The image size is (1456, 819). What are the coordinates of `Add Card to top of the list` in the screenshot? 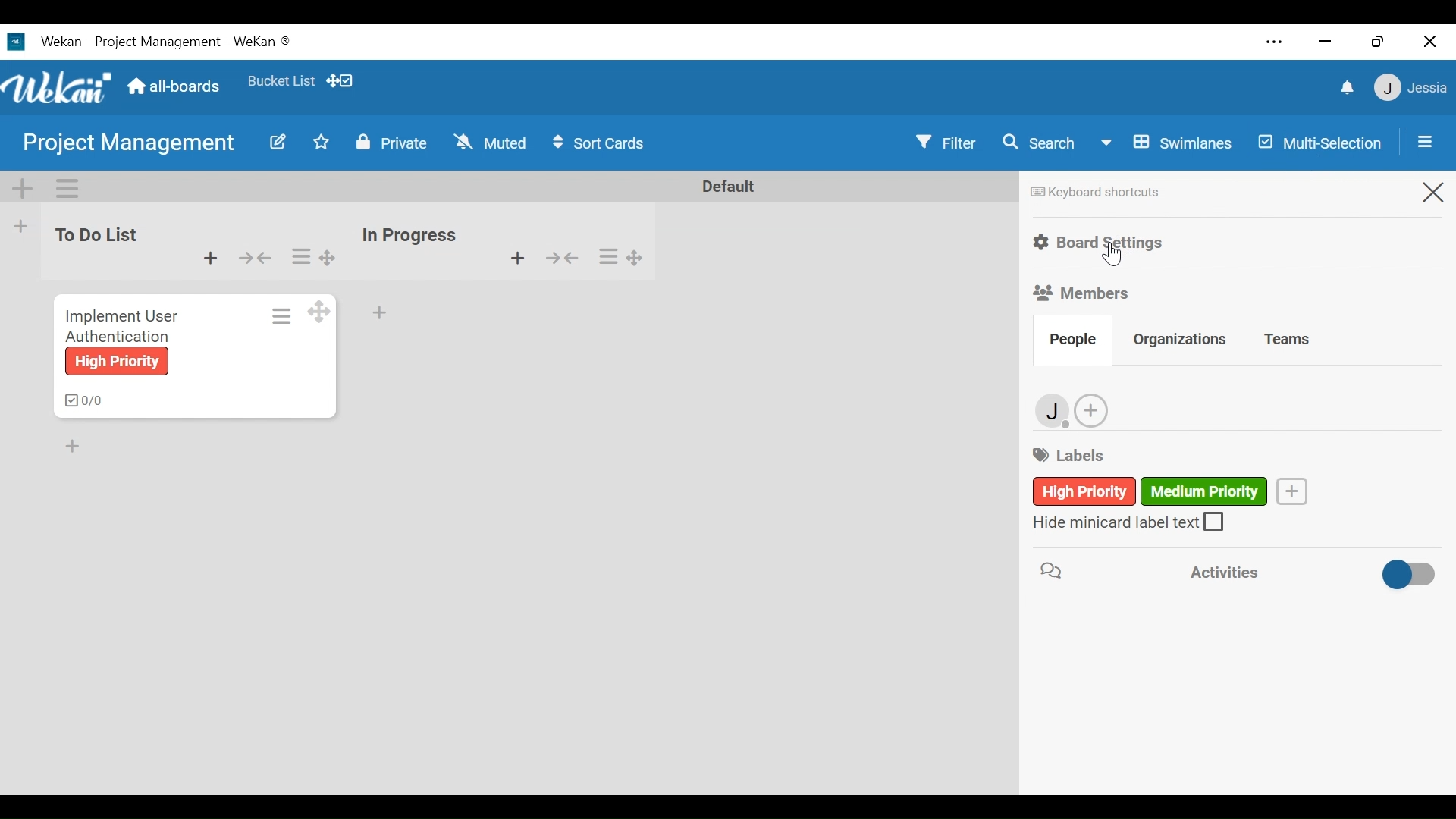 It's located at (517, 258).